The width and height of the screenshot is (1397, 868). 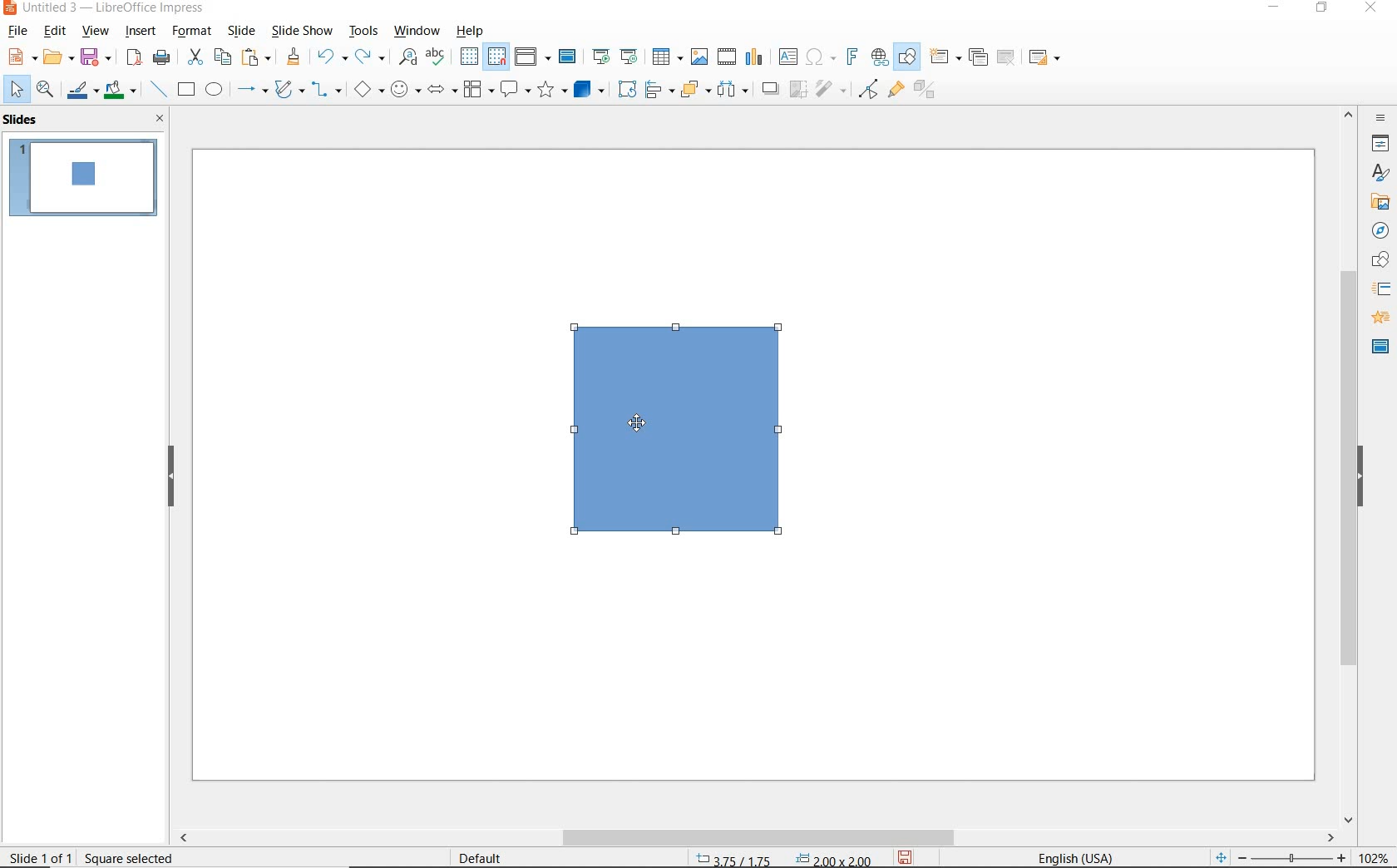 What do you see at coordinates (254, 59) in the screenshot?
I see `paste` at bounding box center [254, 59].